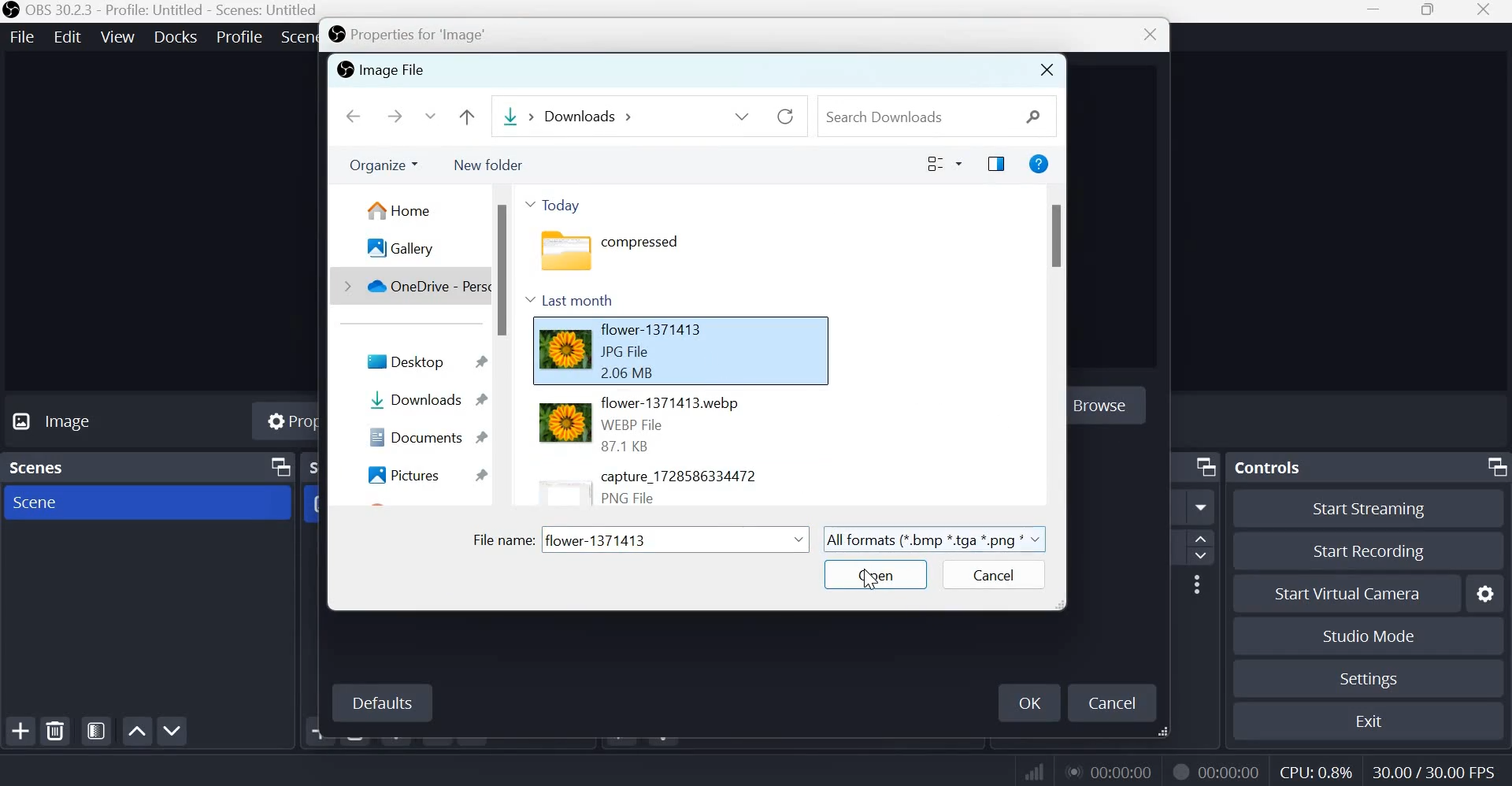 Image resolution: width=1512 pixels, height=786 pixels. What do you see at coordinates (381, 704) in the screenshot?
I see `Defaults` at bounding box center [381, 704].